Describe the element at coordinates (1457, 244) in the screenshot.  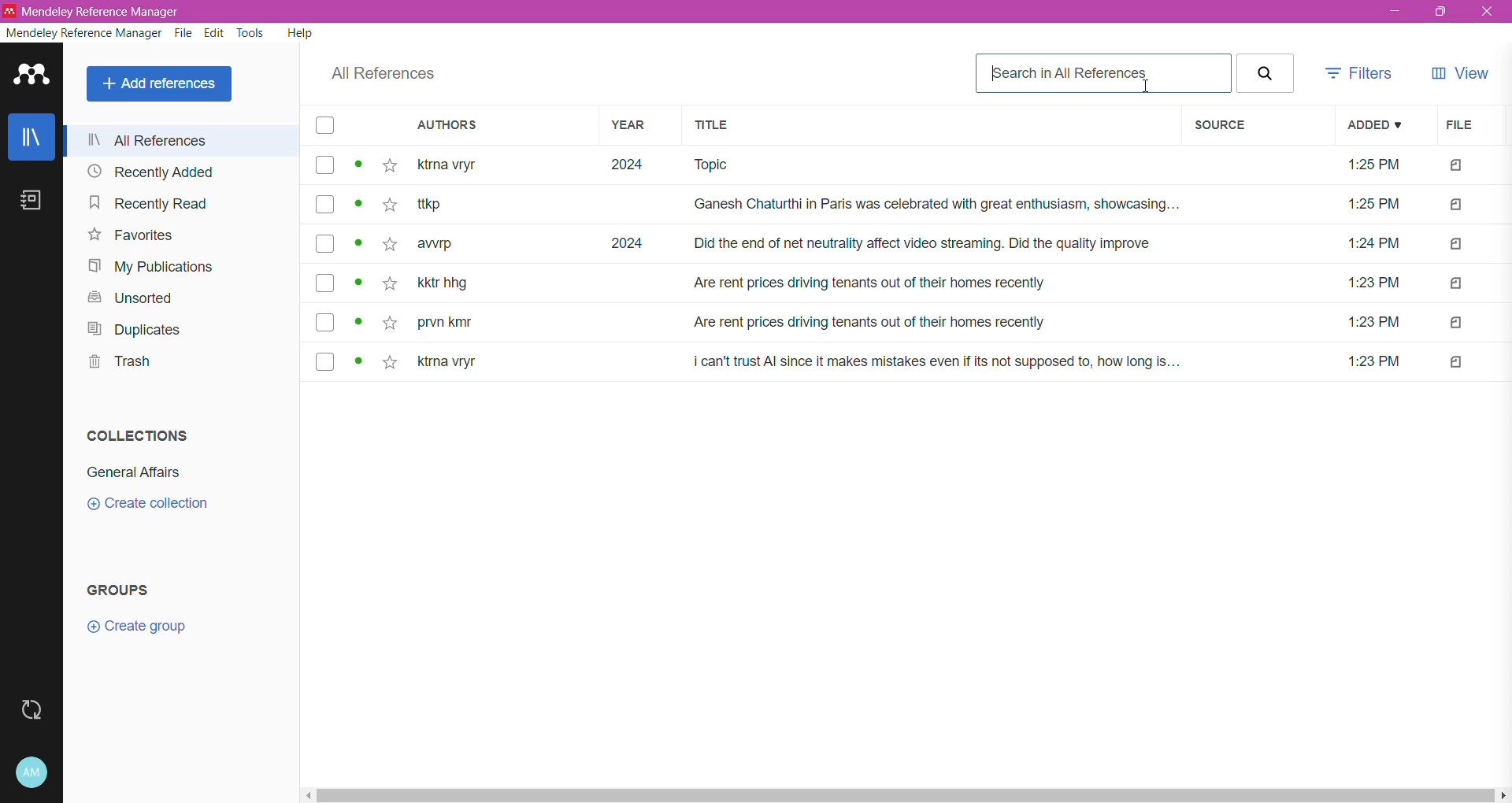
I see `file type` at that location.